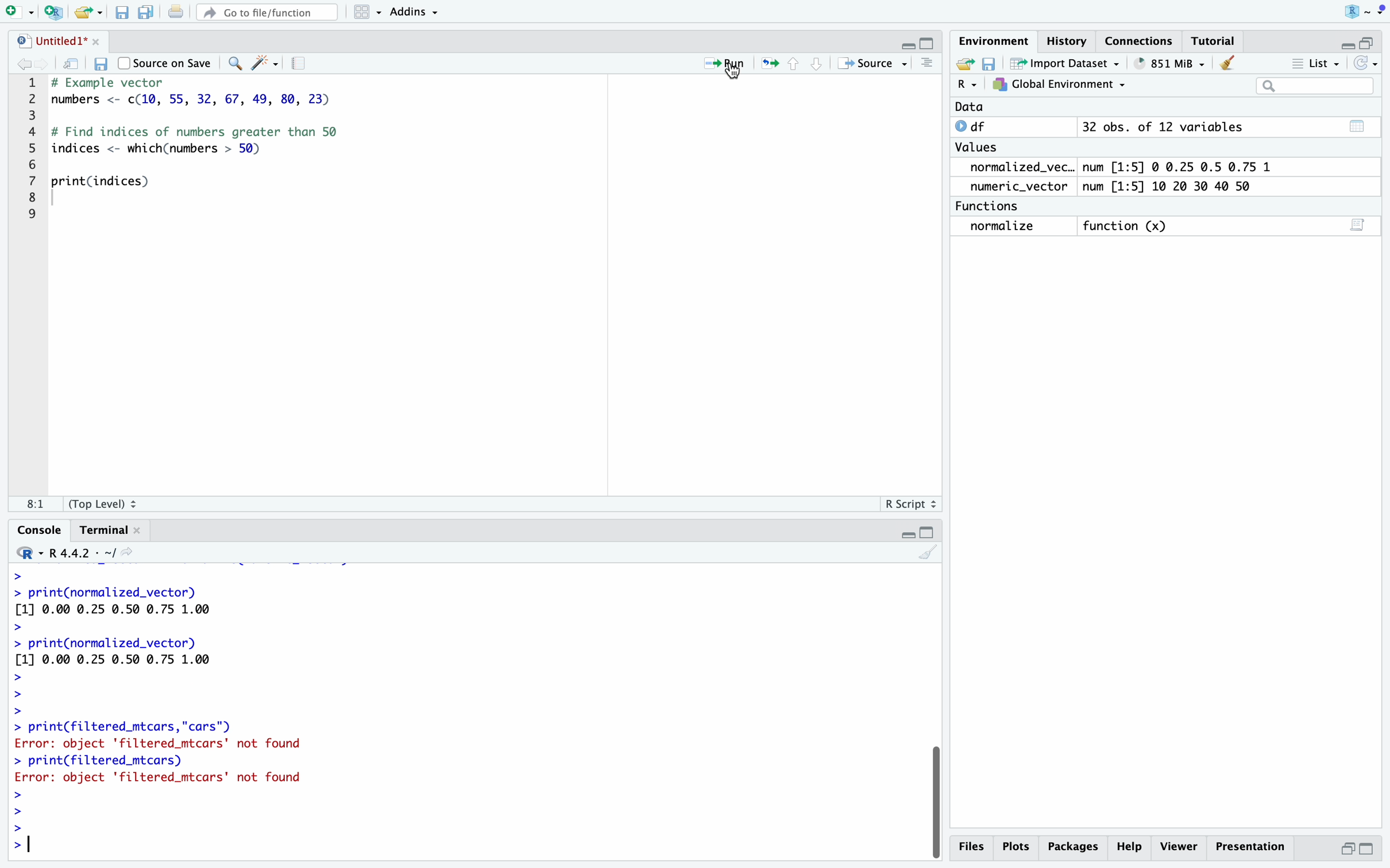  I want to click on R 4.4.2, so click(75, 552).